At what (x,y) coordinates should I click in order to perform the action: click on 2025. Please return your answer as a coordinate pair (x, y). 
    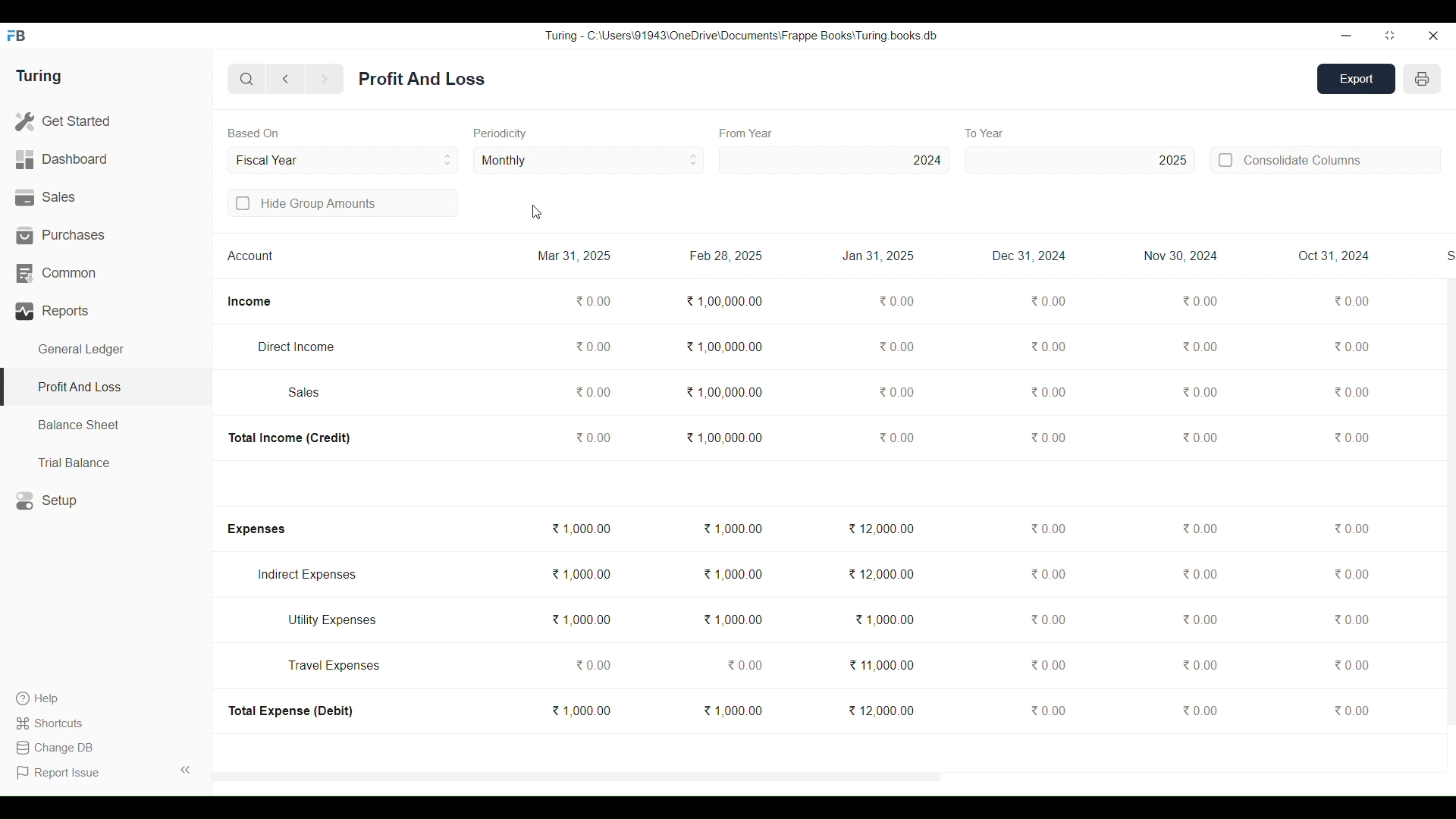
    Looking at the image, I should click on (1081, 160).